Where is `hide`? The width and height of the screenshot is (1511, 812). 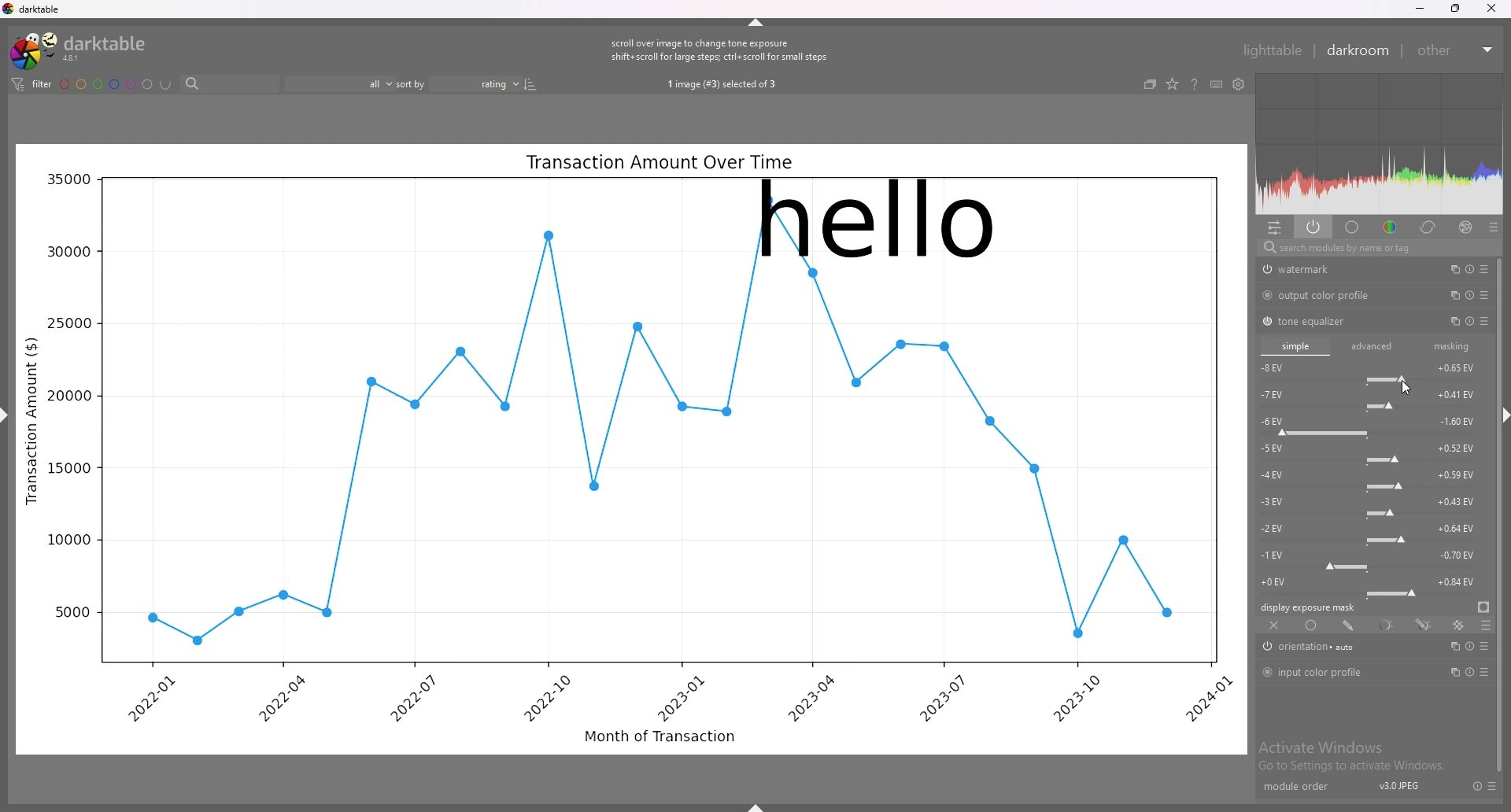 hide is located at coordinates (757, 20).